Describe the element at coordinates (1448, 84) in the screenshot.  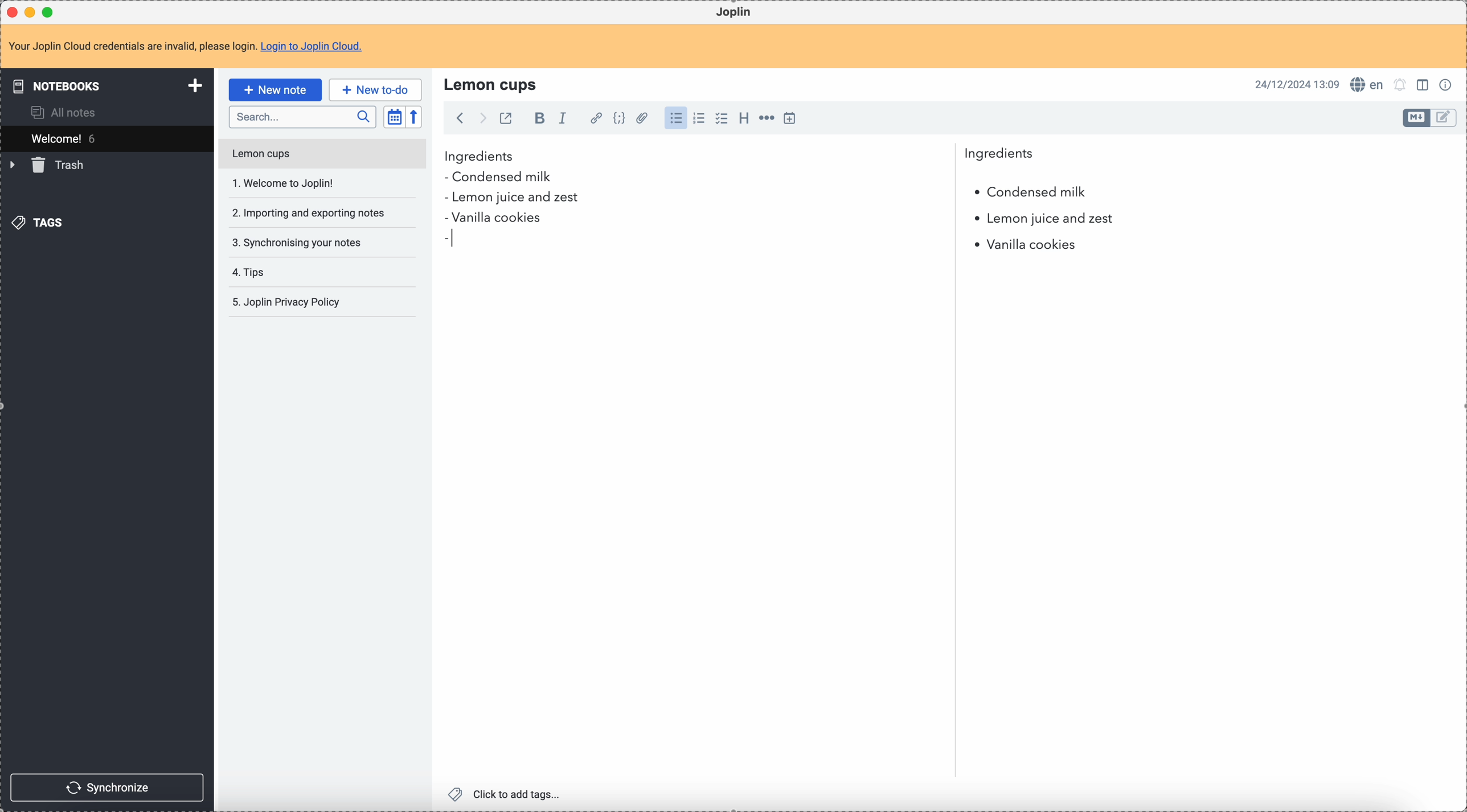
I see `note properties` at that location.